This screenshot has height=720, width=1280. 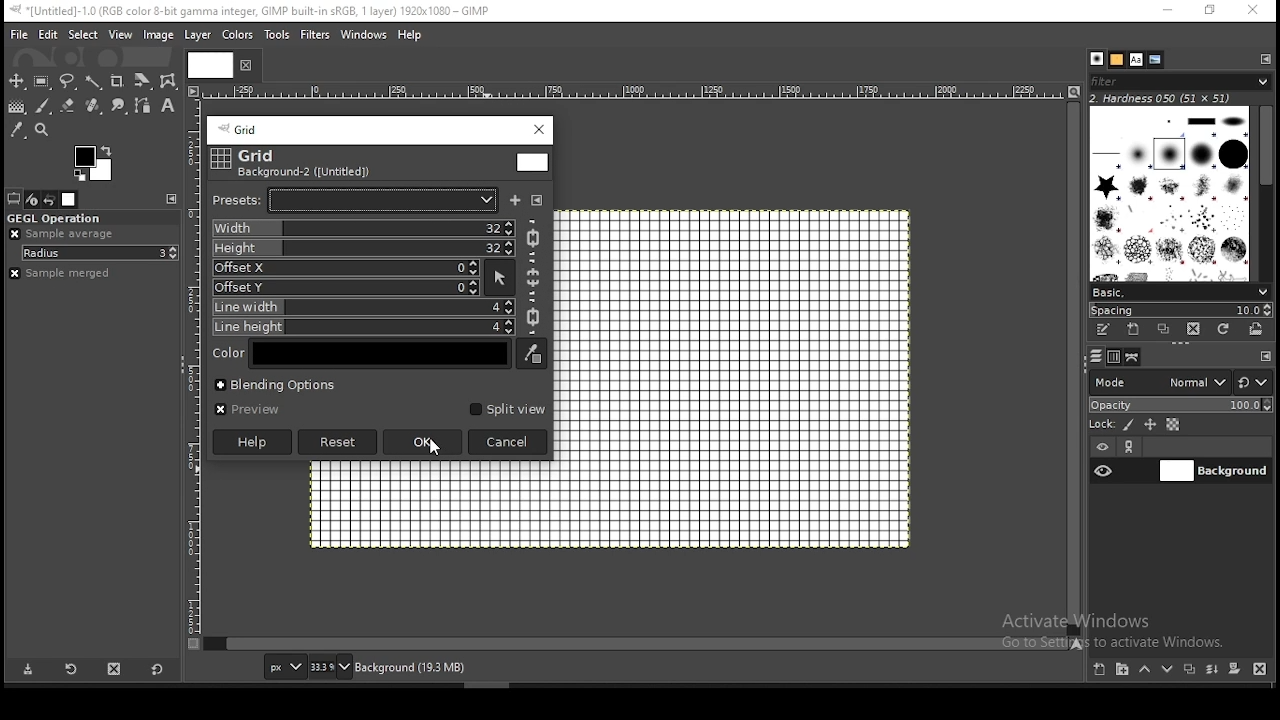 What do you see at coordinates (32, 199) in the screenshot?
I see `device status` at bounding box center [32, 199].